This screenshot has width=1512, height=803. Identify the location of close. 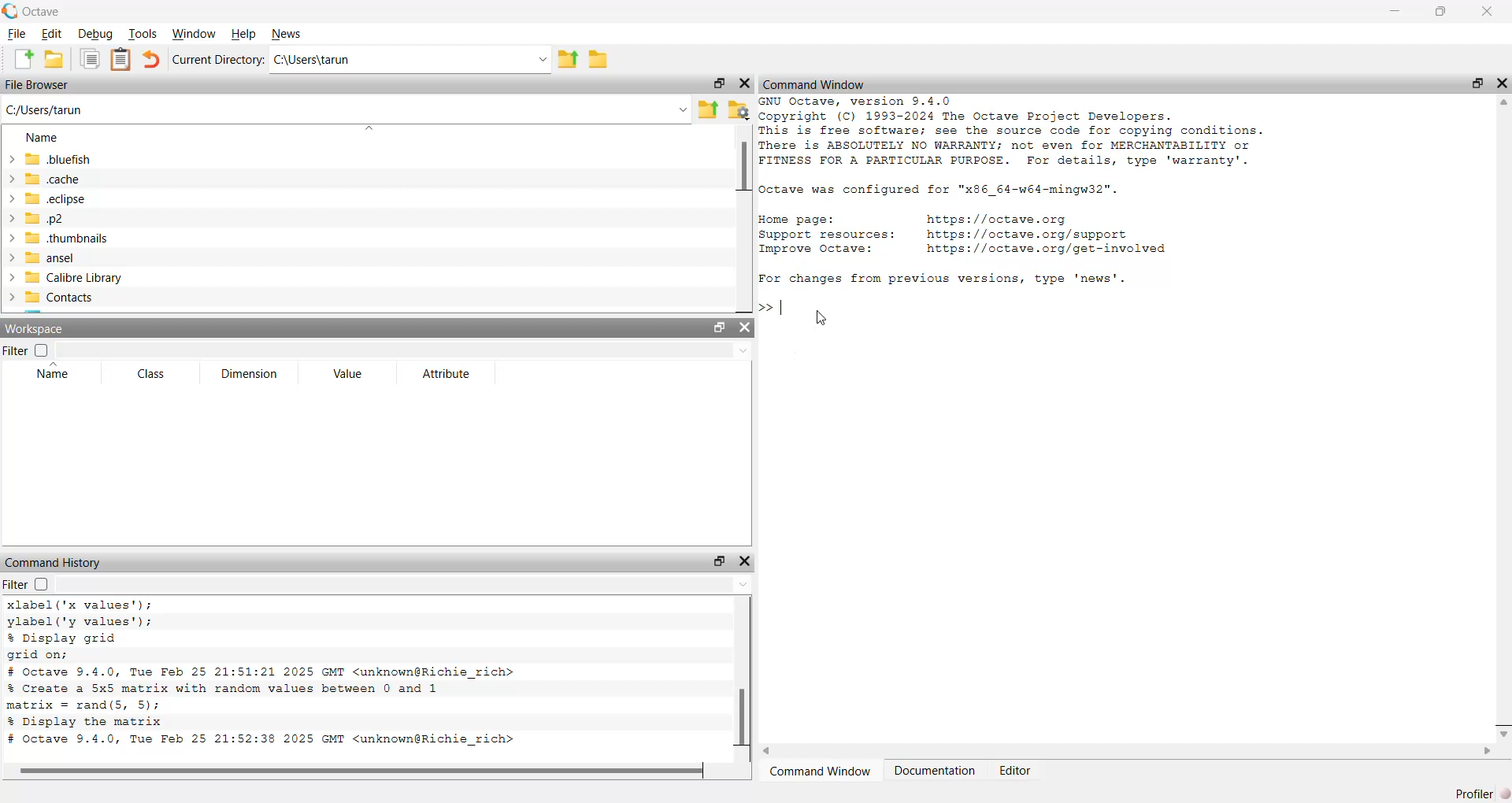
(1502, 84).